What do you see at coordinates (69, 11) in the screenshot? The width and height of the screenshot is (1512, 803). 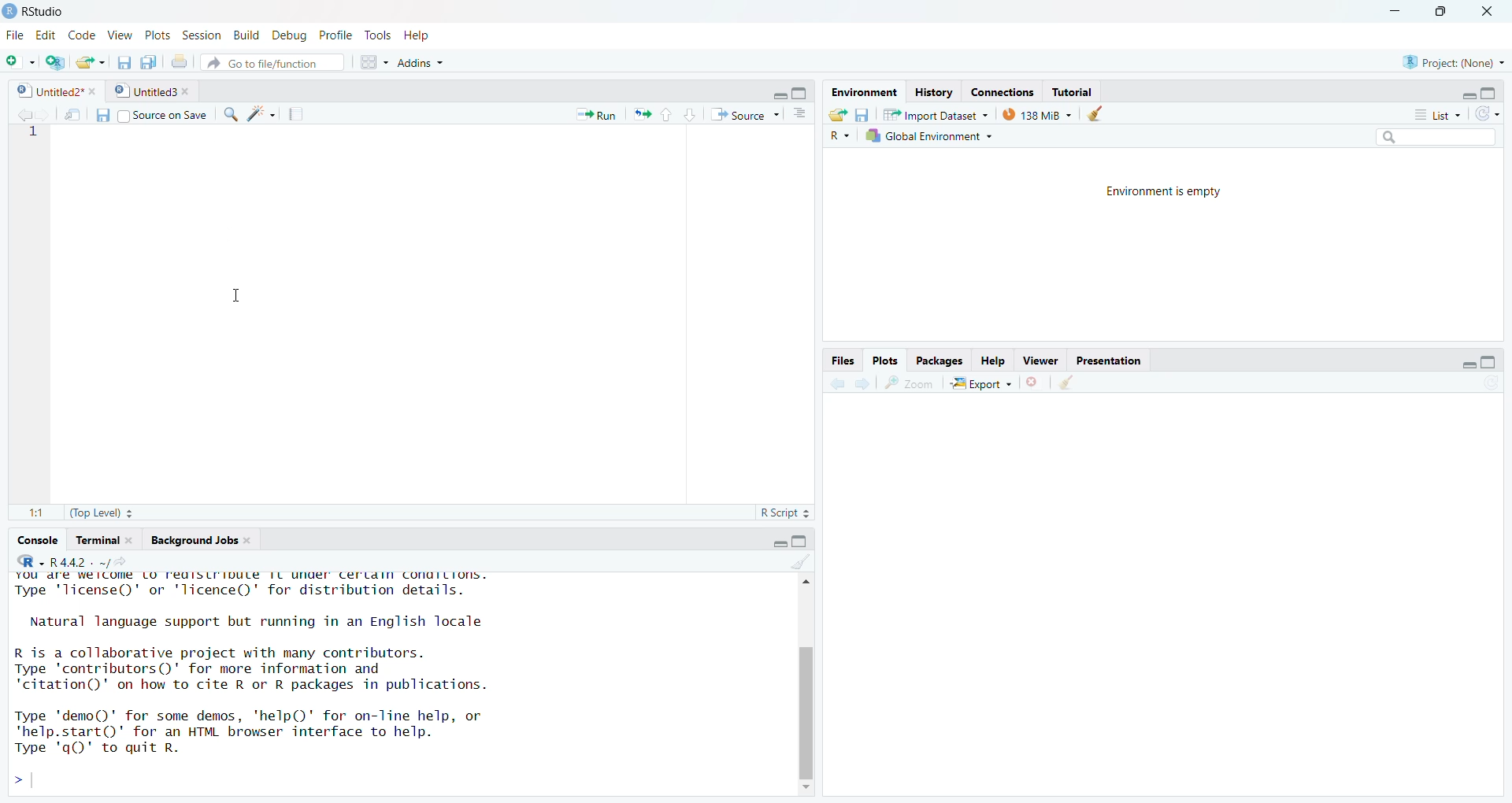 I see `D Rstudio` at bounding box center [69, 11].